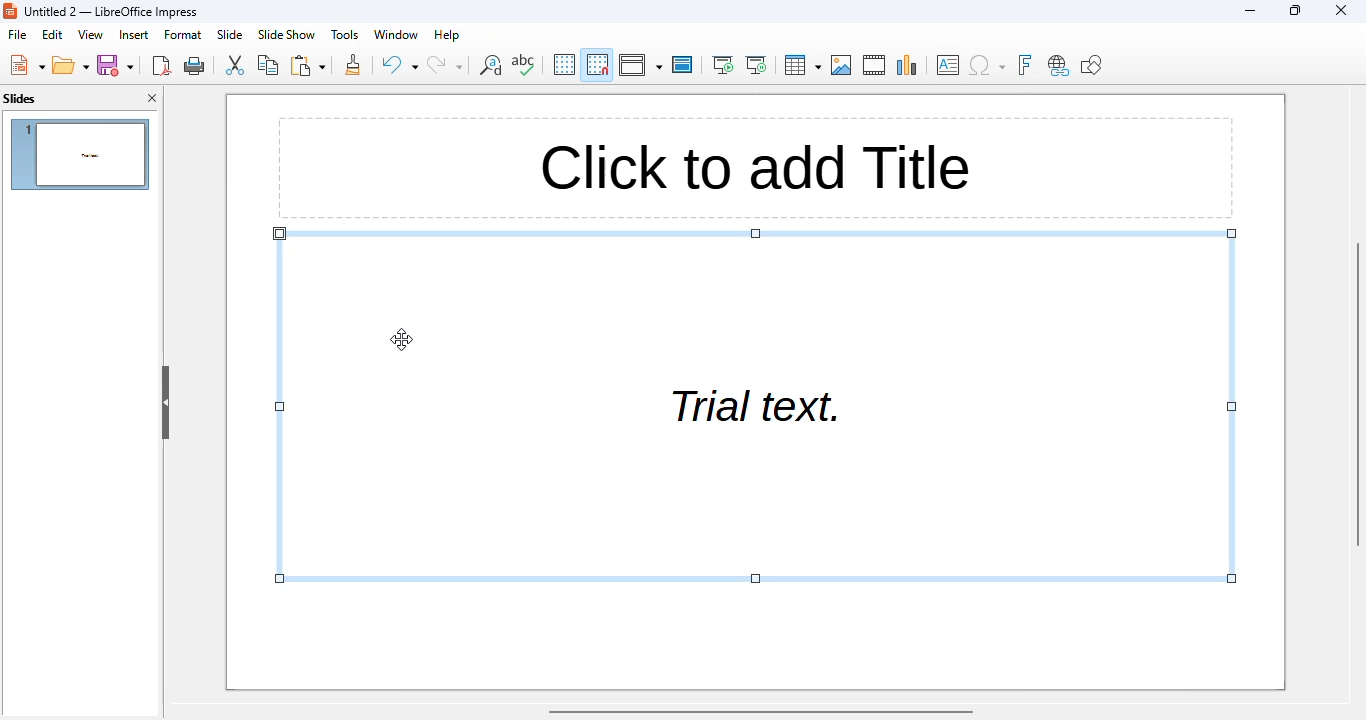 This screenshot has width=1366, height=720. Describe the element at coordinates (398, 35) in the screenshot. I see `window` at that location.